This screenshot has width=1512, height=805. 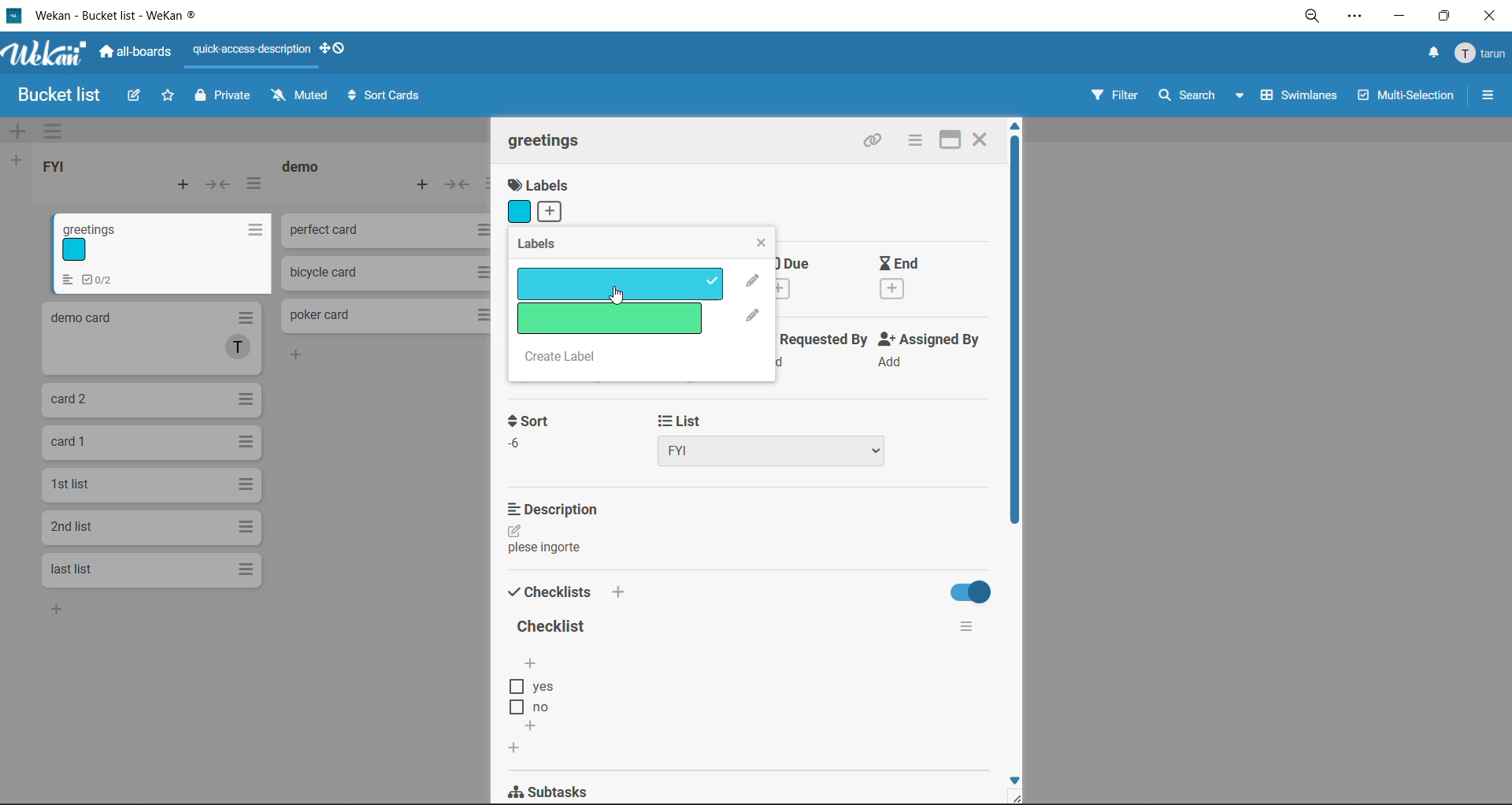 I want to click on board title, so click(x=51, y=95).